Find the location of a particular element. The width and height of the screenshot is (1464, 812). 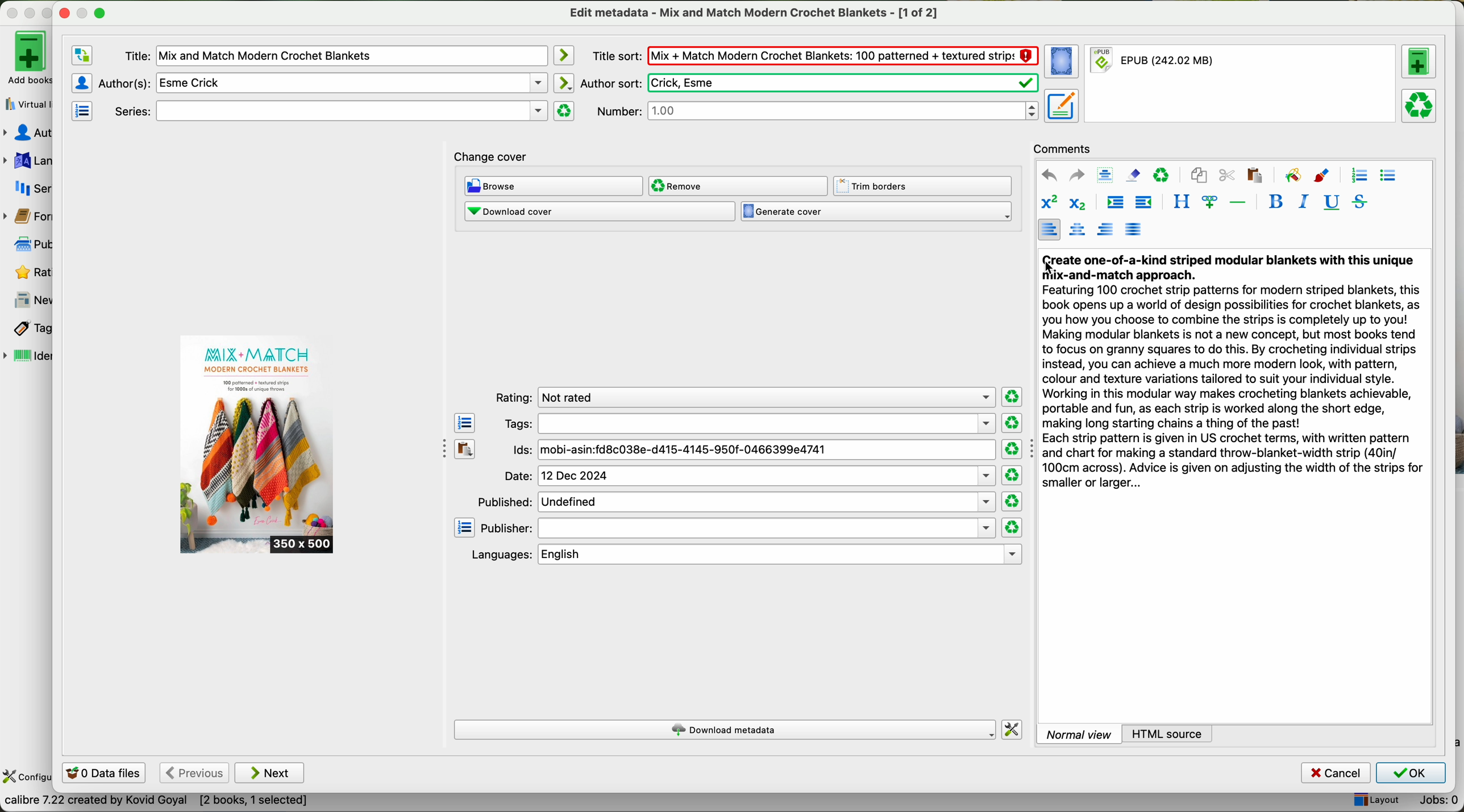

clear rating is located at coordinates (1012, 528).